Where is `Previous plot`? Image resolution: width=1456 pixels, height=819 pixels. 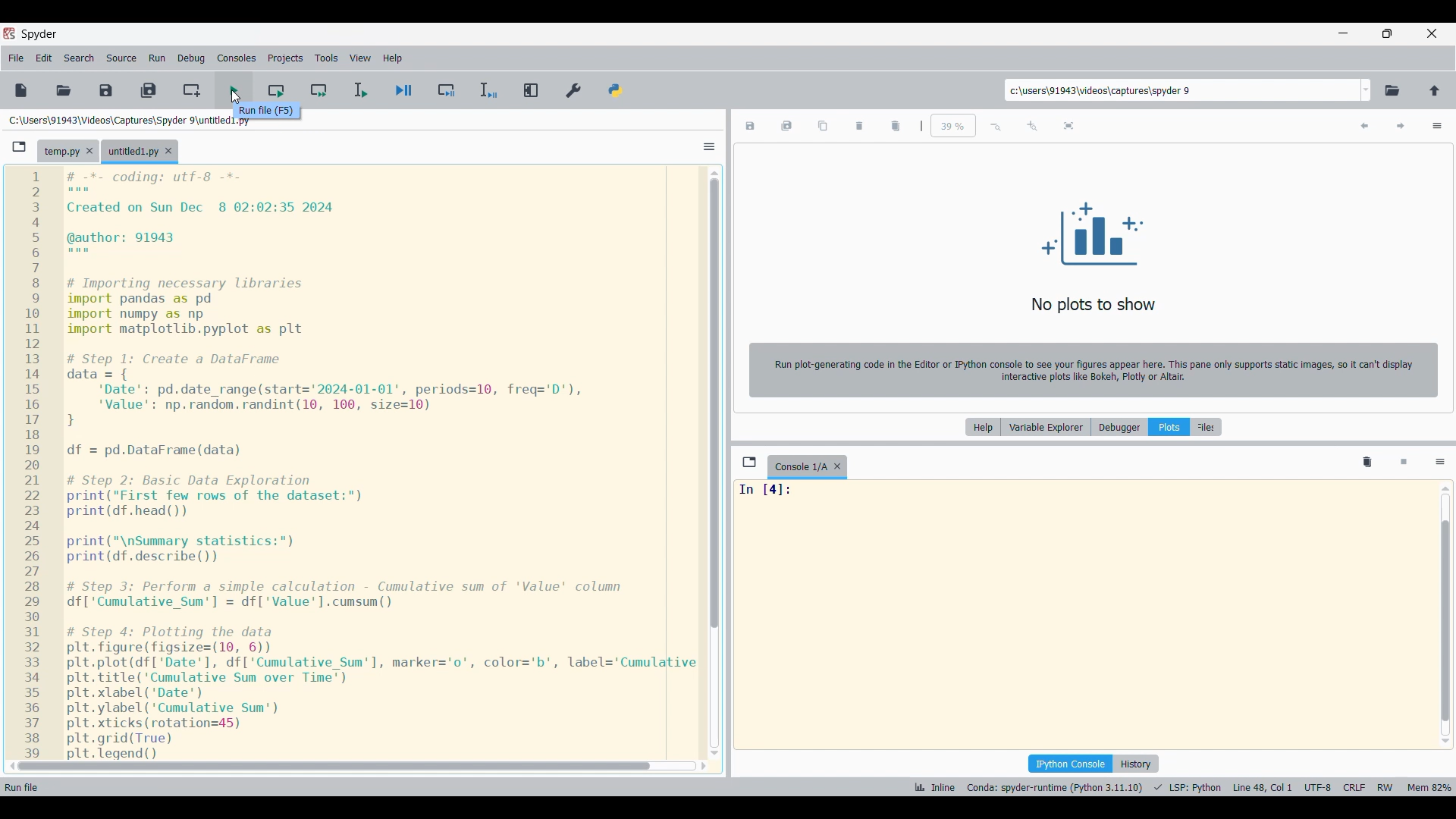 Previous plot is located at coordinates (1366, 126).